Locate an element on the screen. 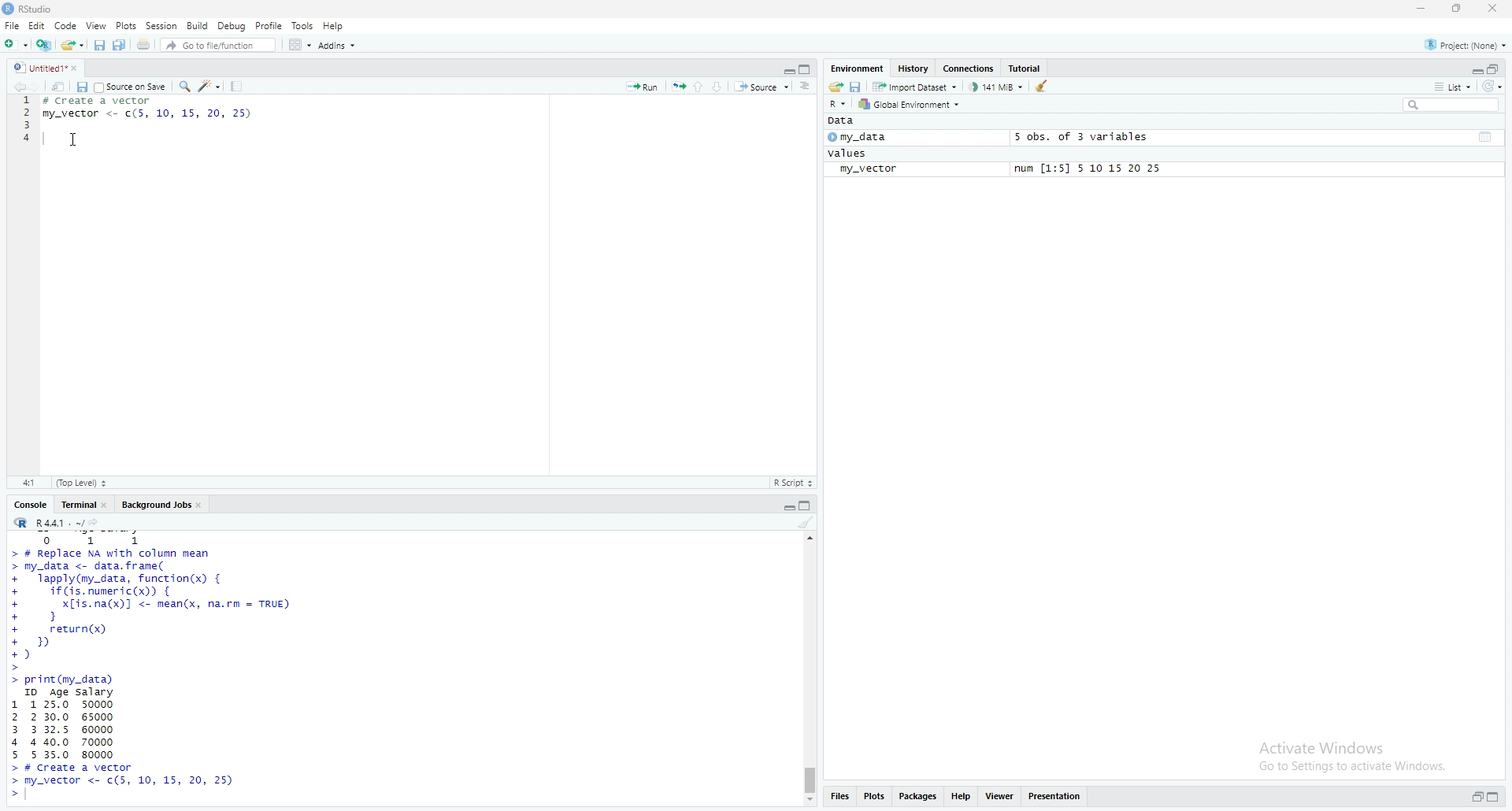 The width and height of the screenshot is (1512, 811). save current document is located at coordinates (82, 87).